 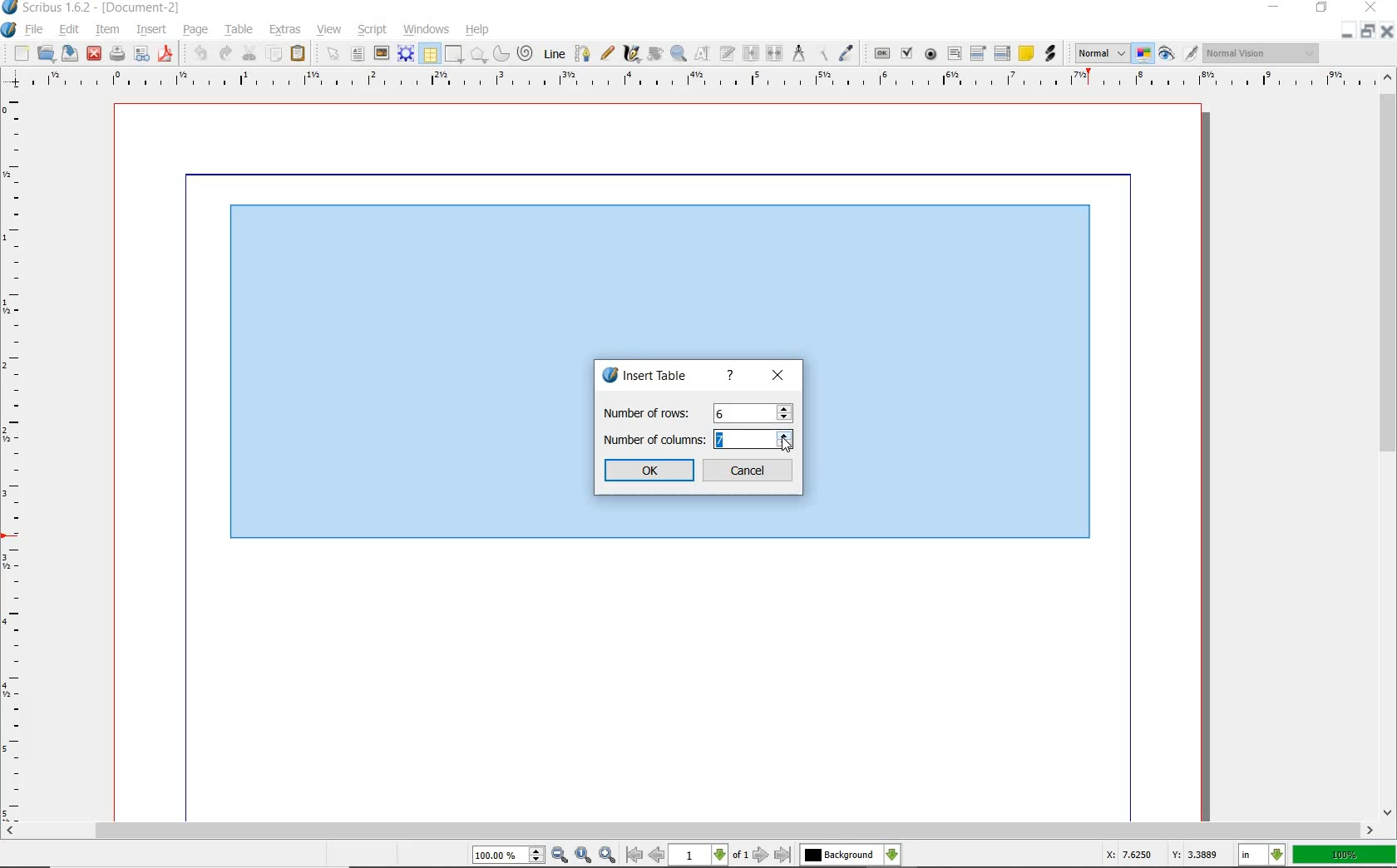 What do you see at coordinates (708, 81) in the screenshot?
I see `ruler` at bounding box center [708, 81].